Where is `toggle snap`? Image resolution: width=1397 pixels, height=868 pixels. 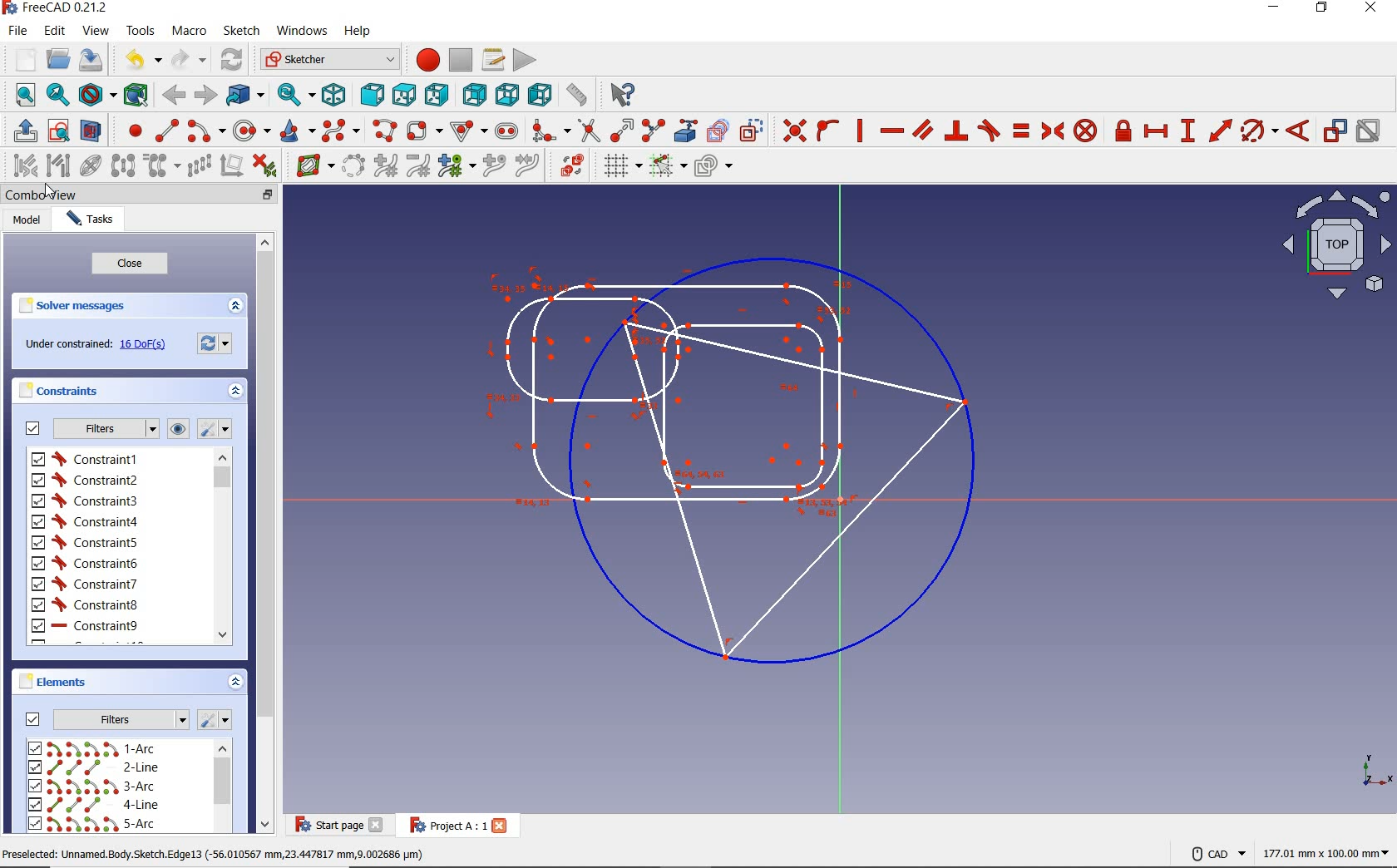 toggle snap is located at coordinates (665, 167).